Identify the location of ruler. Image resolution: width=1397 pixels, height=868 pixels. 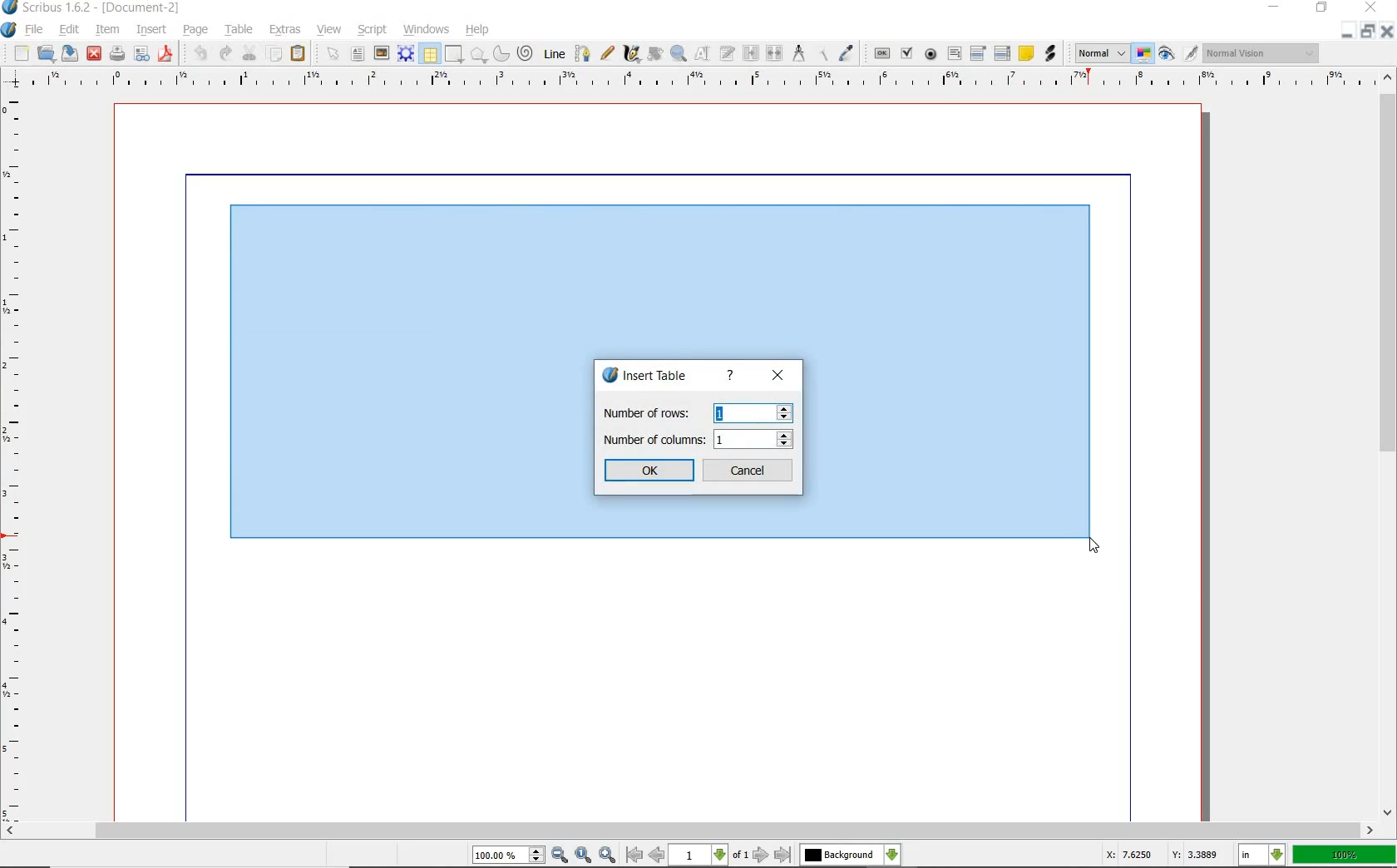
(708, 81).